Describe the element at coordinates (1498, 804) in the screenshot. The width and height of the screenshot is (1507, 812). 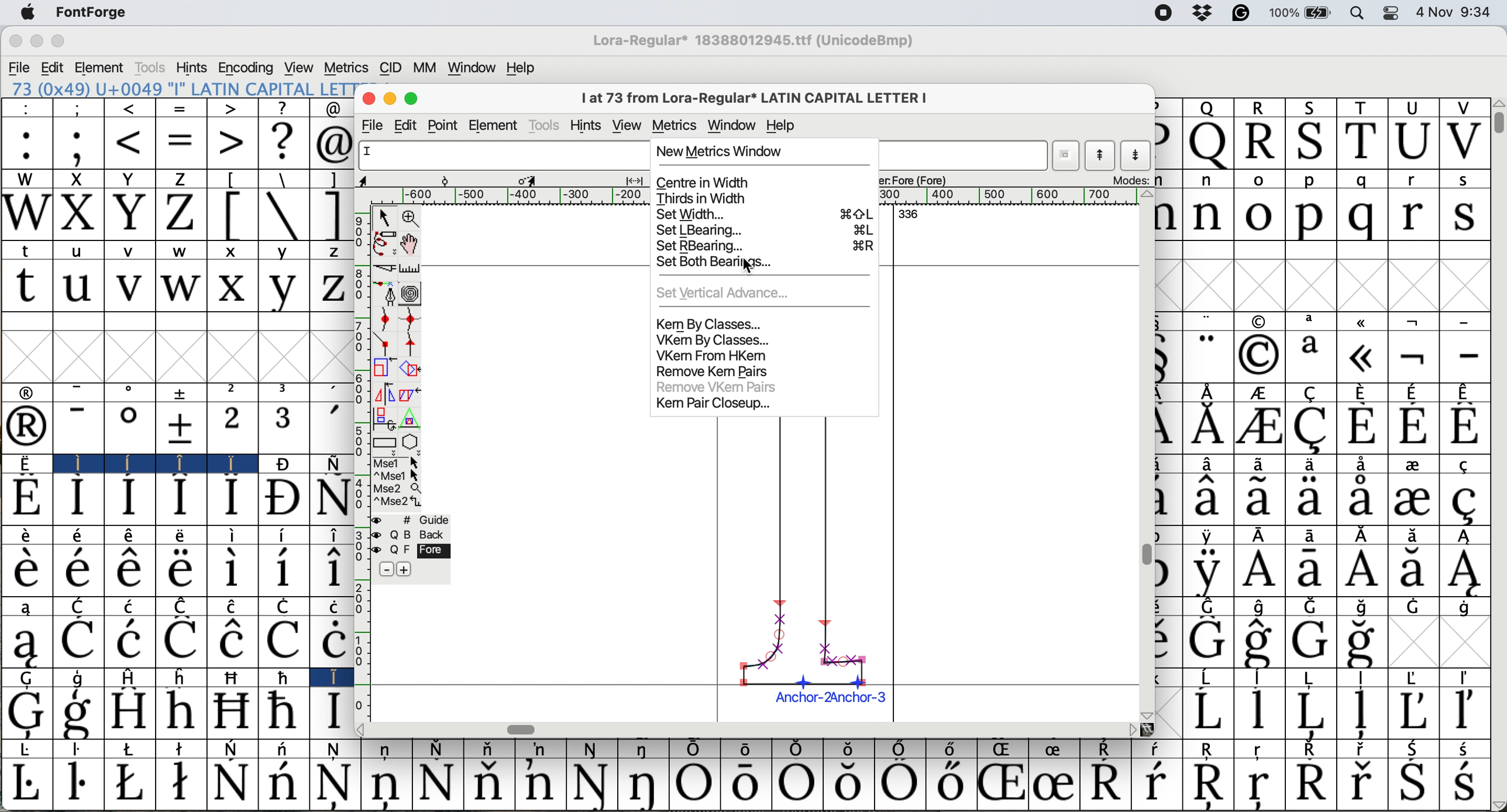
I see `` at that location.